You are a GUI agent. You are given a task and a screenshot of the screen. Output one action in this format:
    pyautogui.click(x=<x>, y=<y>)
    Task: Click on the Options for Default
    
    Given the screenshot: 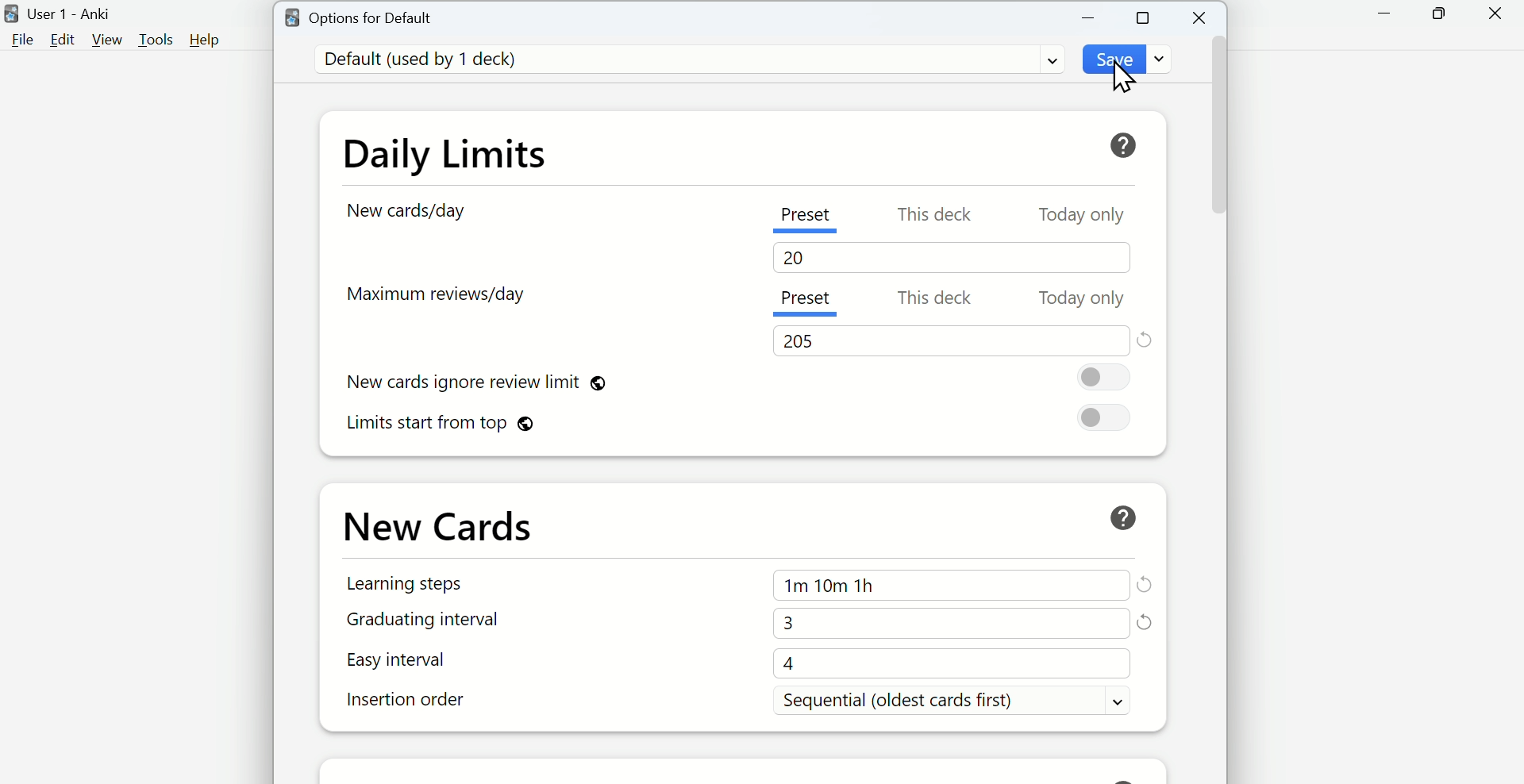 What is the action you would take?
    pyautogui.click(x=369, y=18)
    